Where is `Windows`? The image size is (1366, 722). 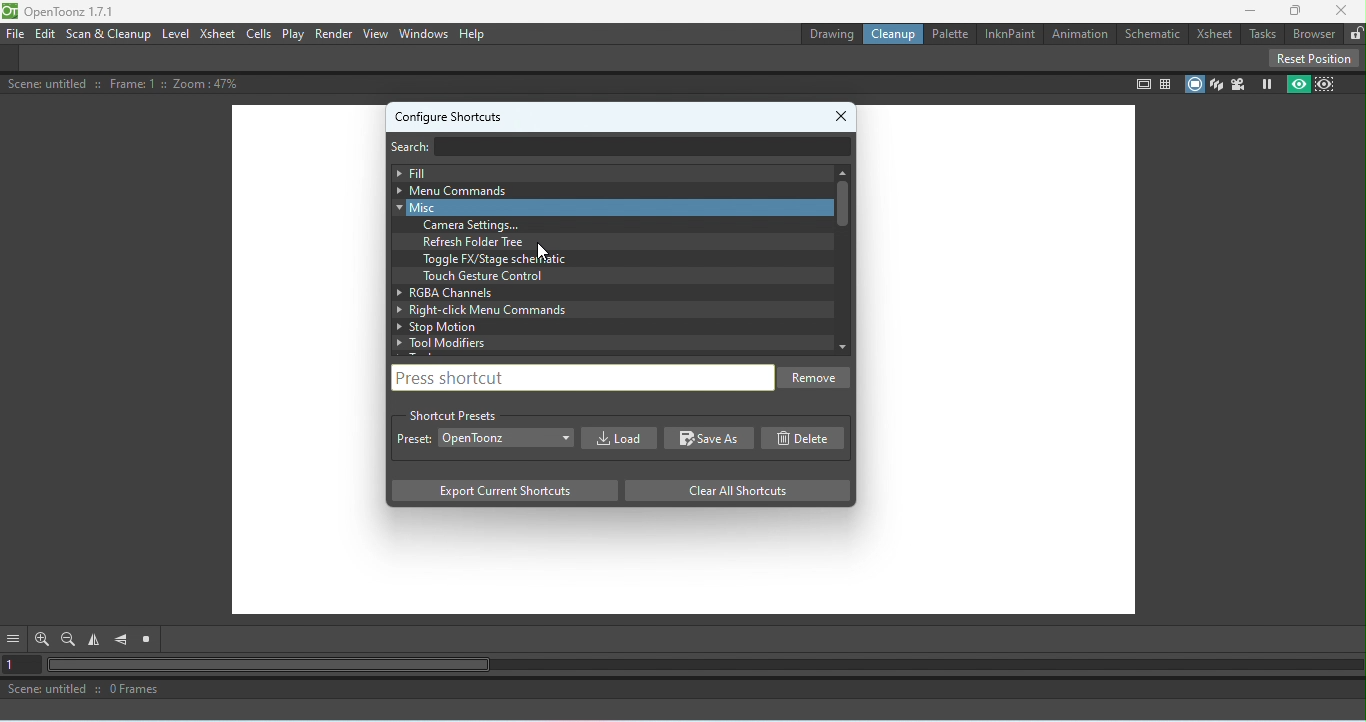
Windows is located at coordinates (424, 33).